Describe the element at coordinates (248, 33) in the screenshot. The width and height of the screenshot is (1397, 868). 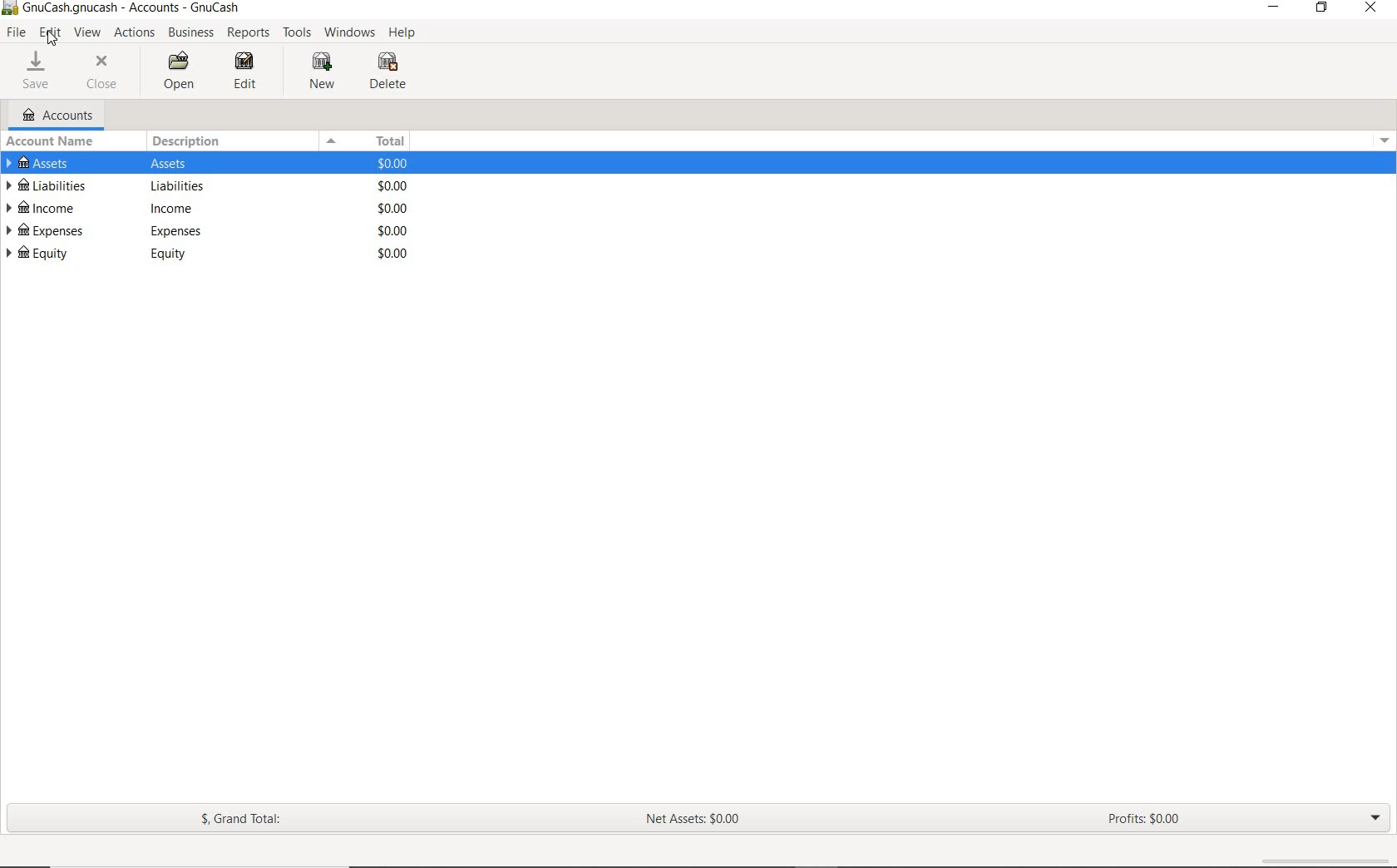
I see `REPORTS` at that location.